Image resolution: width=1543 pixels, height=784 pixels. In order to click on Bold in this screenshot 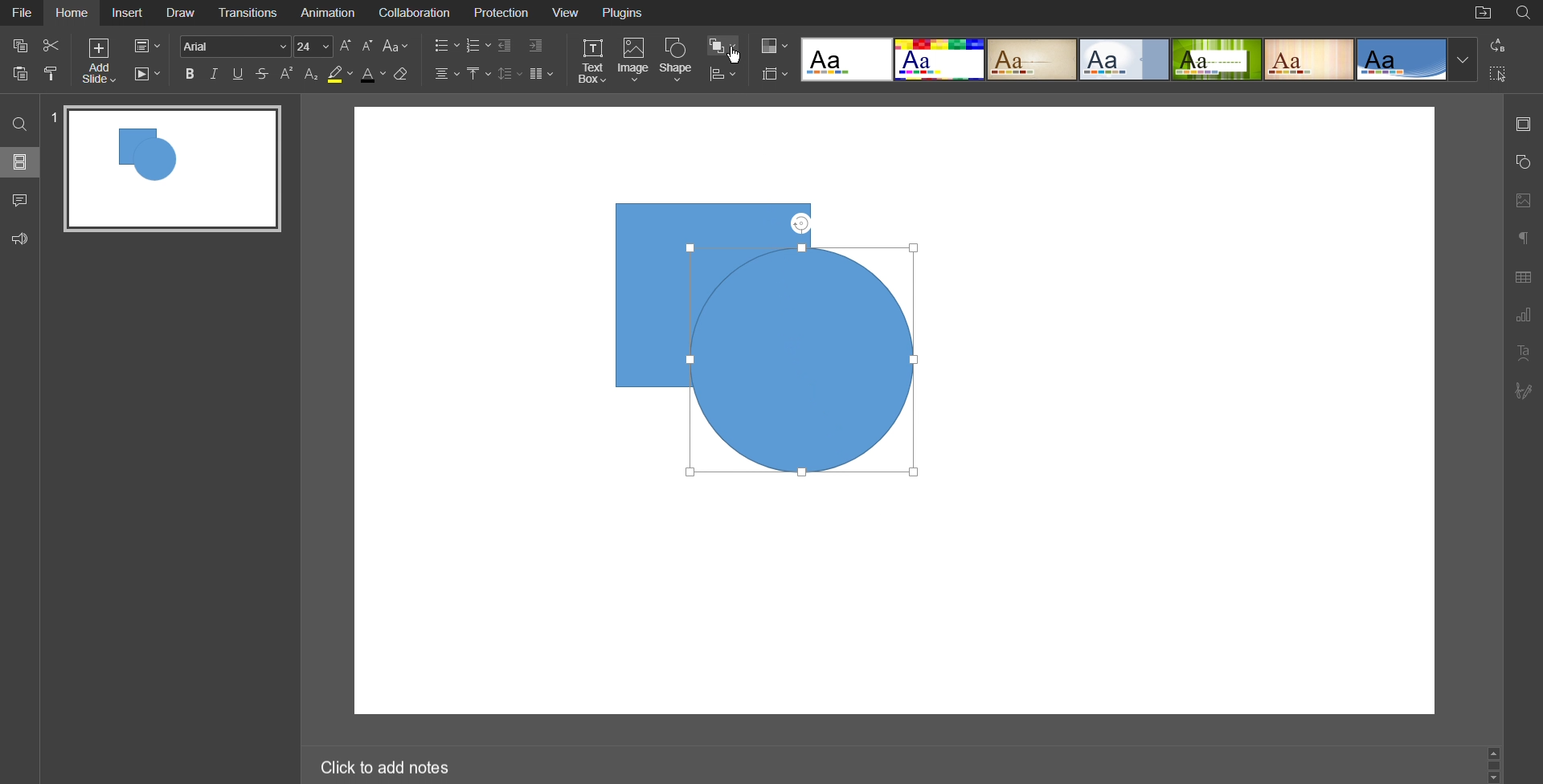, I will do `click(190, 75)`.